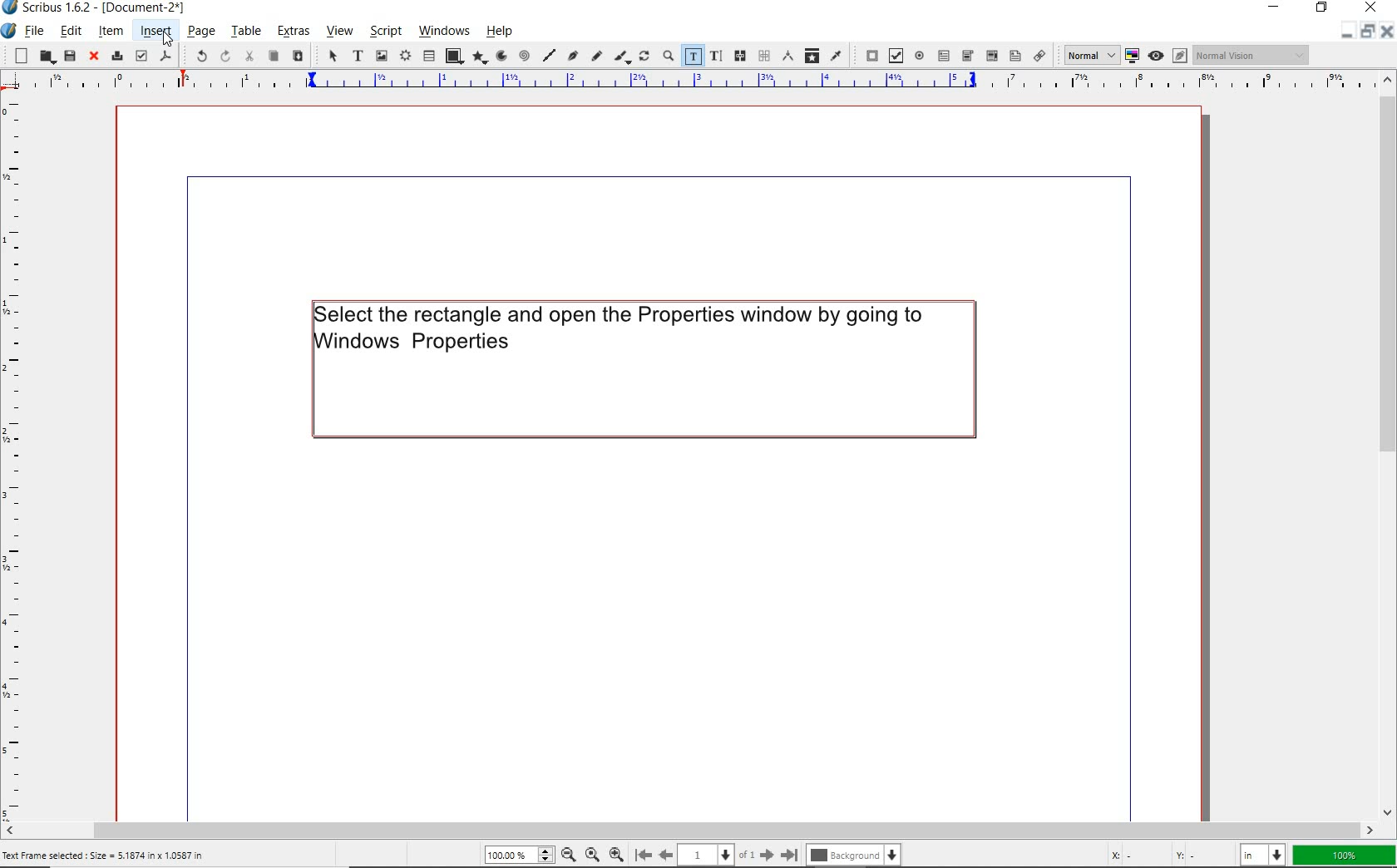  What do you see at coordinates (837, 55) in the screenshot?
I see `eye dropper` at bounding box center [837, 55].